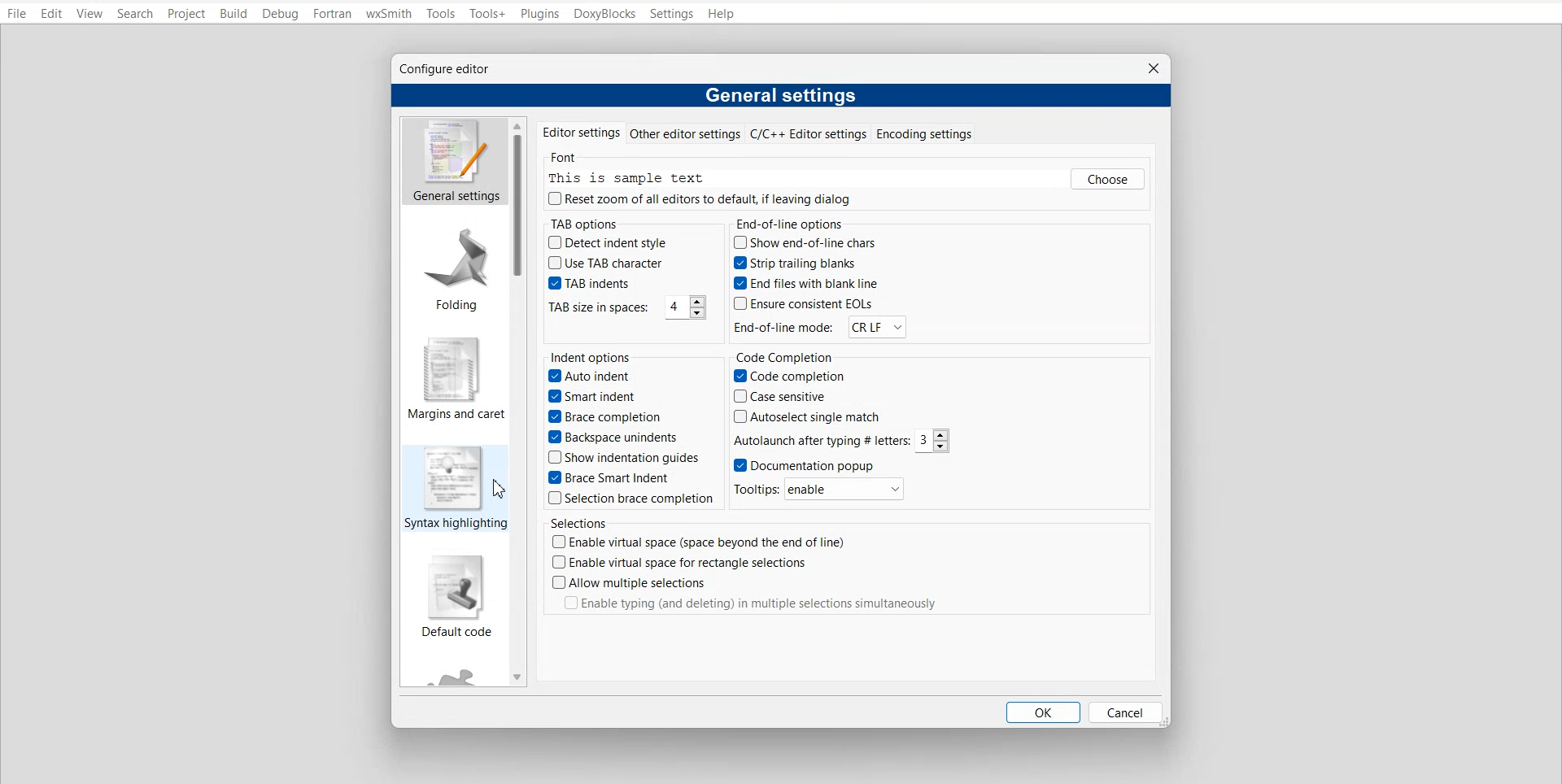 The image size is (1562, 784). Describe the element at coordinates (1153, 66) in the screenshot. I see `Close` at that location.